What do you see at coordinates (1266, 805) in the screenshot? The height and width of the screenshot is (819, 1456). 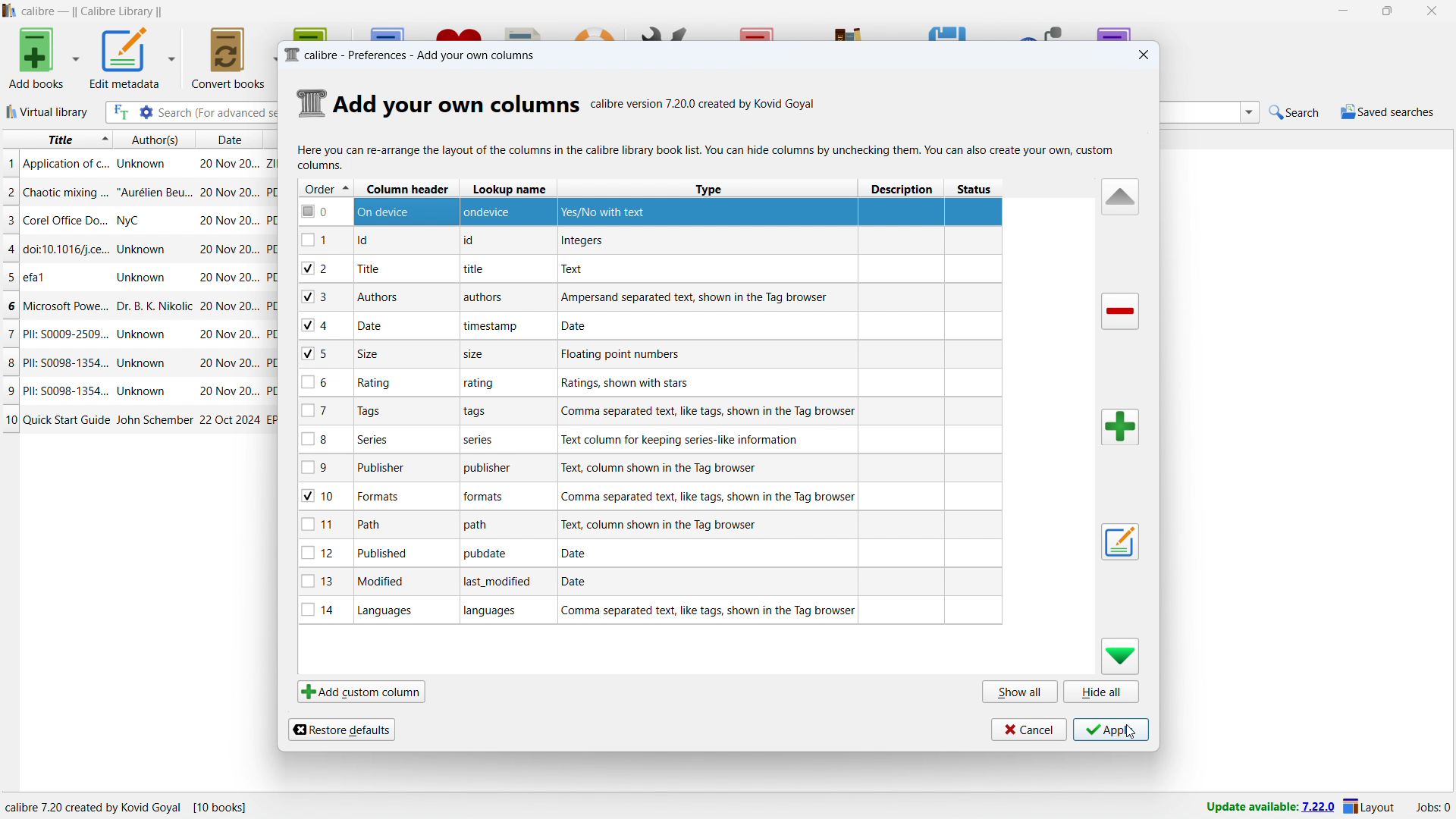 I see `Update available: 7.22.0` at bounding box center [1266, 805].